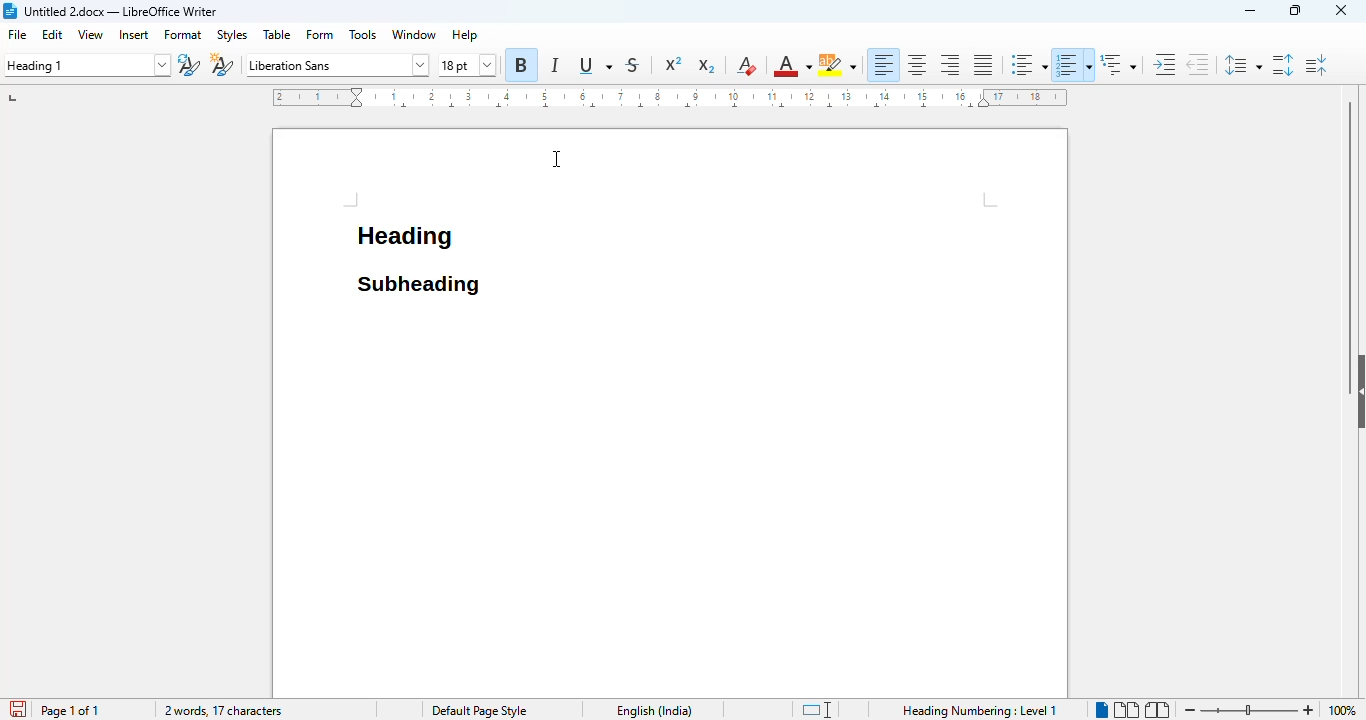  I want to click on 2 words, 17 characters, so click(224, 711).